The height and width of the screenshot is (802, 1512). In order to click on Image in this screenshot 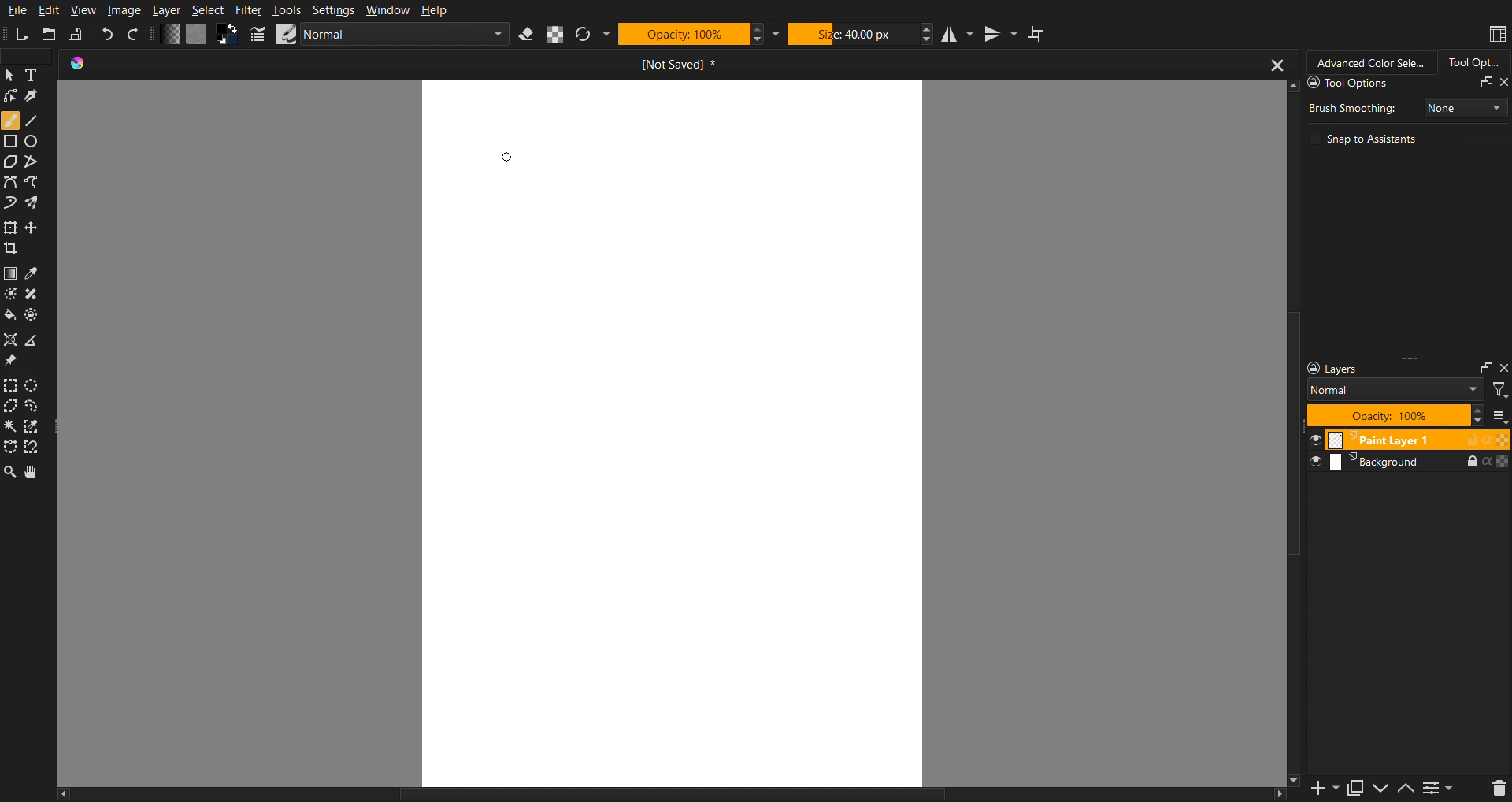, I will do `click(124, 9)`.